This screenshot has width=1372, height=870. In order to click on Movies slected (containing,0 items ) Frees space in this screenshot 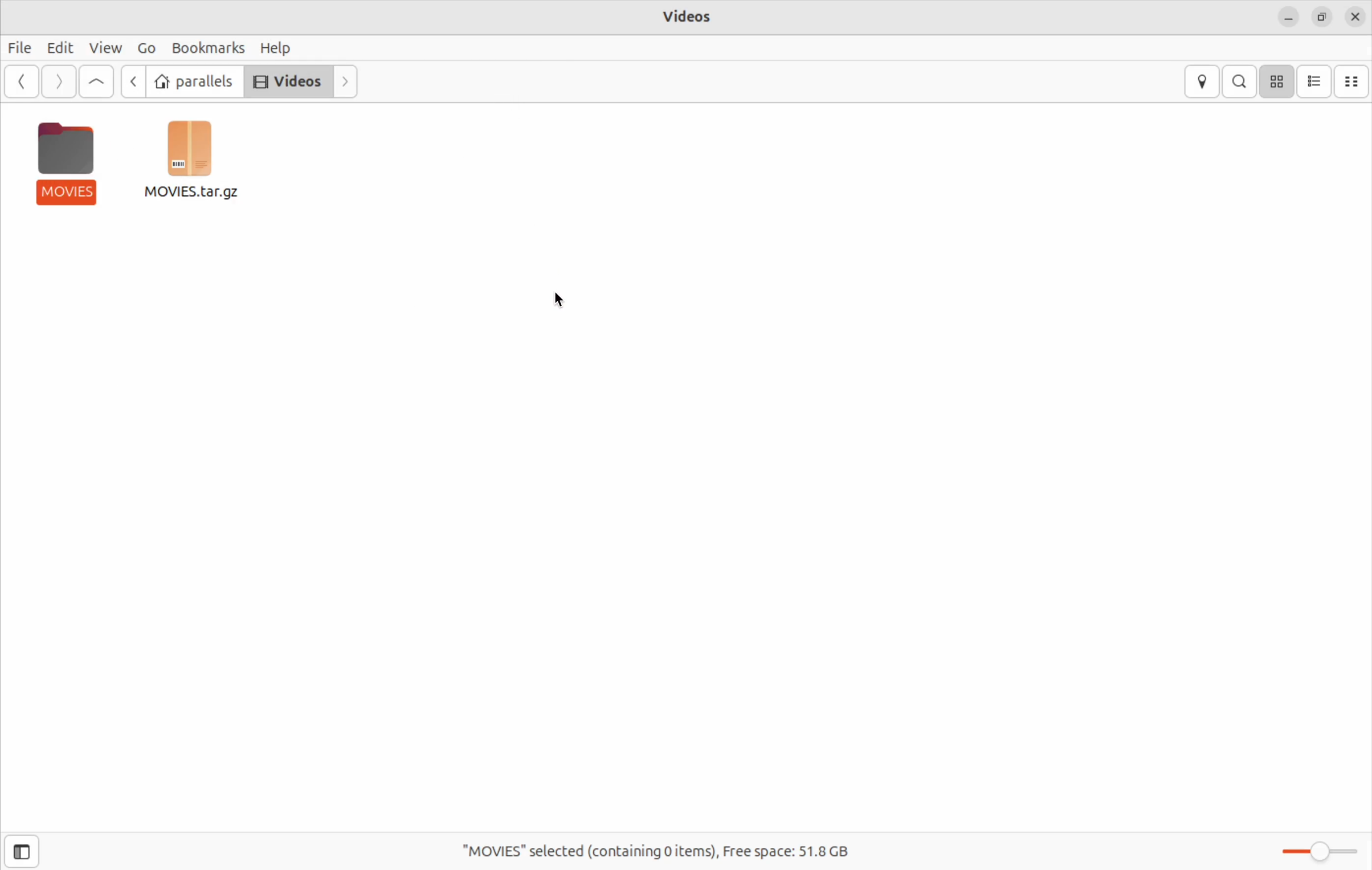, I will do `click(654, 849)`.